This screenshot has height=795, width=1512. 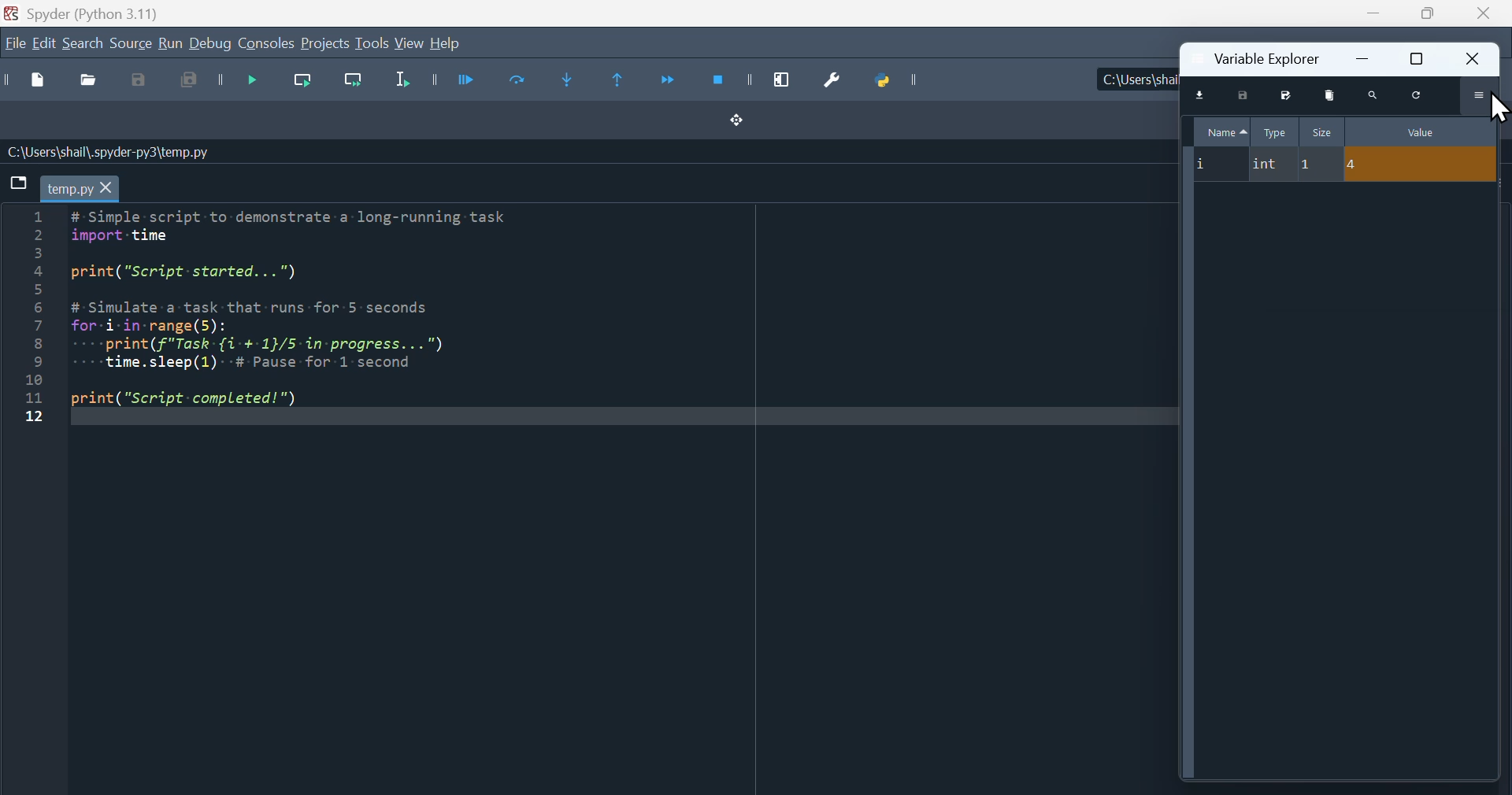 What do you see at coordinates (110, 152) in the screenshot?
I see `C:\Users\shail\.spyder-py3\temp.py` at bounding box center [110, 152].